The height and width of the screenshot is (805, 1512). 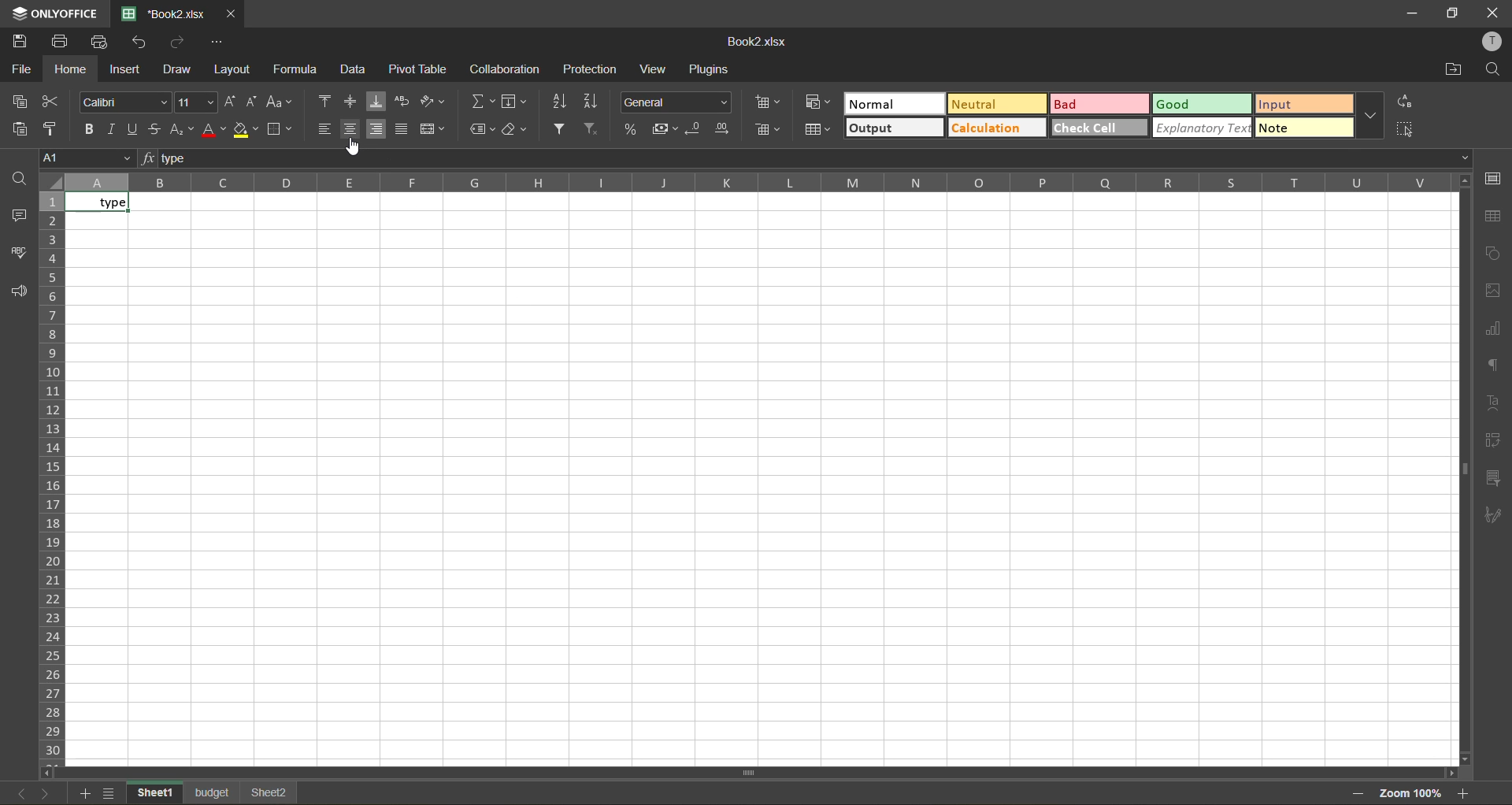 What do you see at coordinates (1492, 368) in the screenshot?
I see `paragraph` at bounding box center [1492, 368].